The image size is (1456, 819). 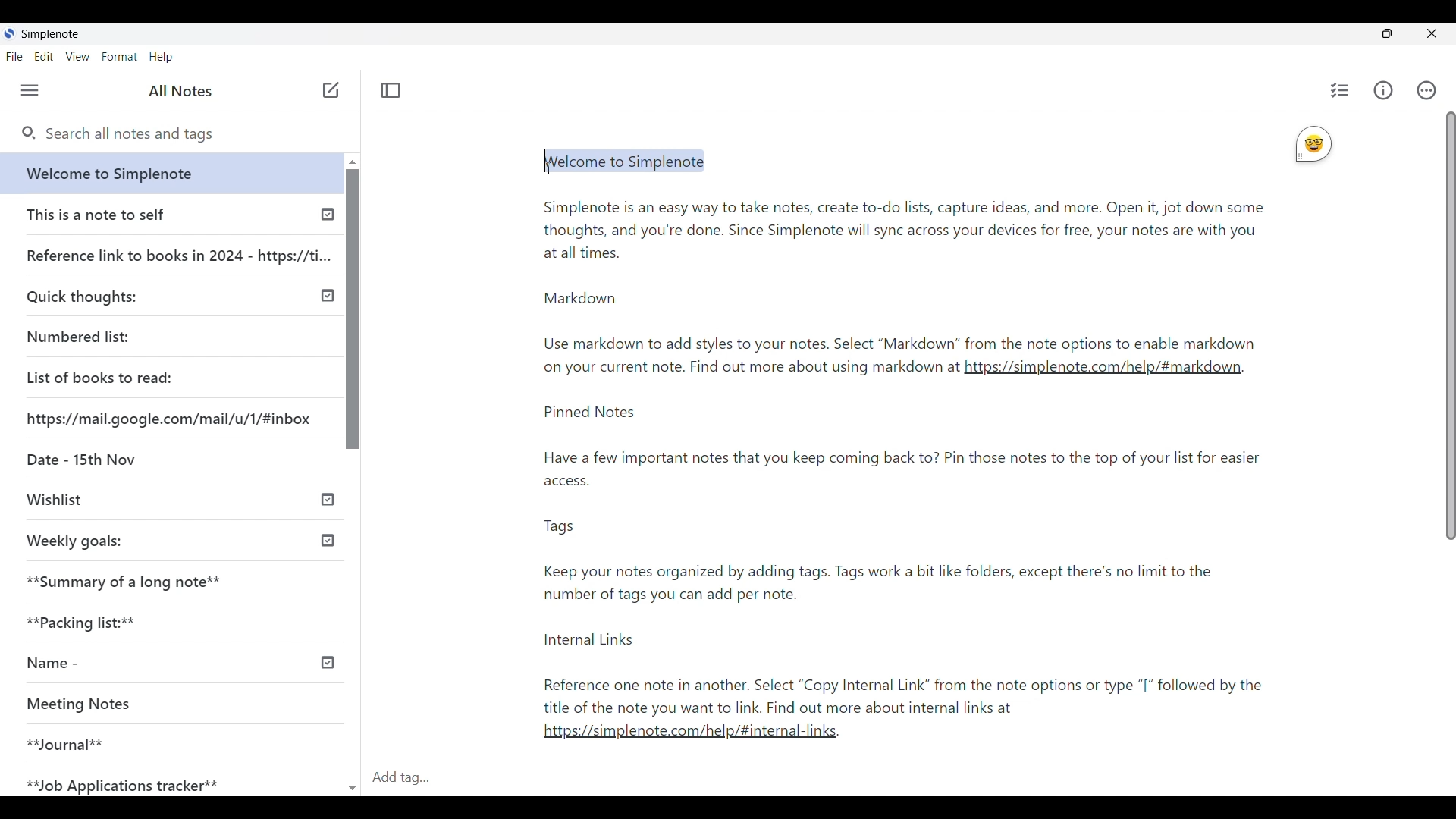 What do you see at coordinates (165, 173) in the screenshot?
I see `Current note highlighted` at bounding box center [165, 173].